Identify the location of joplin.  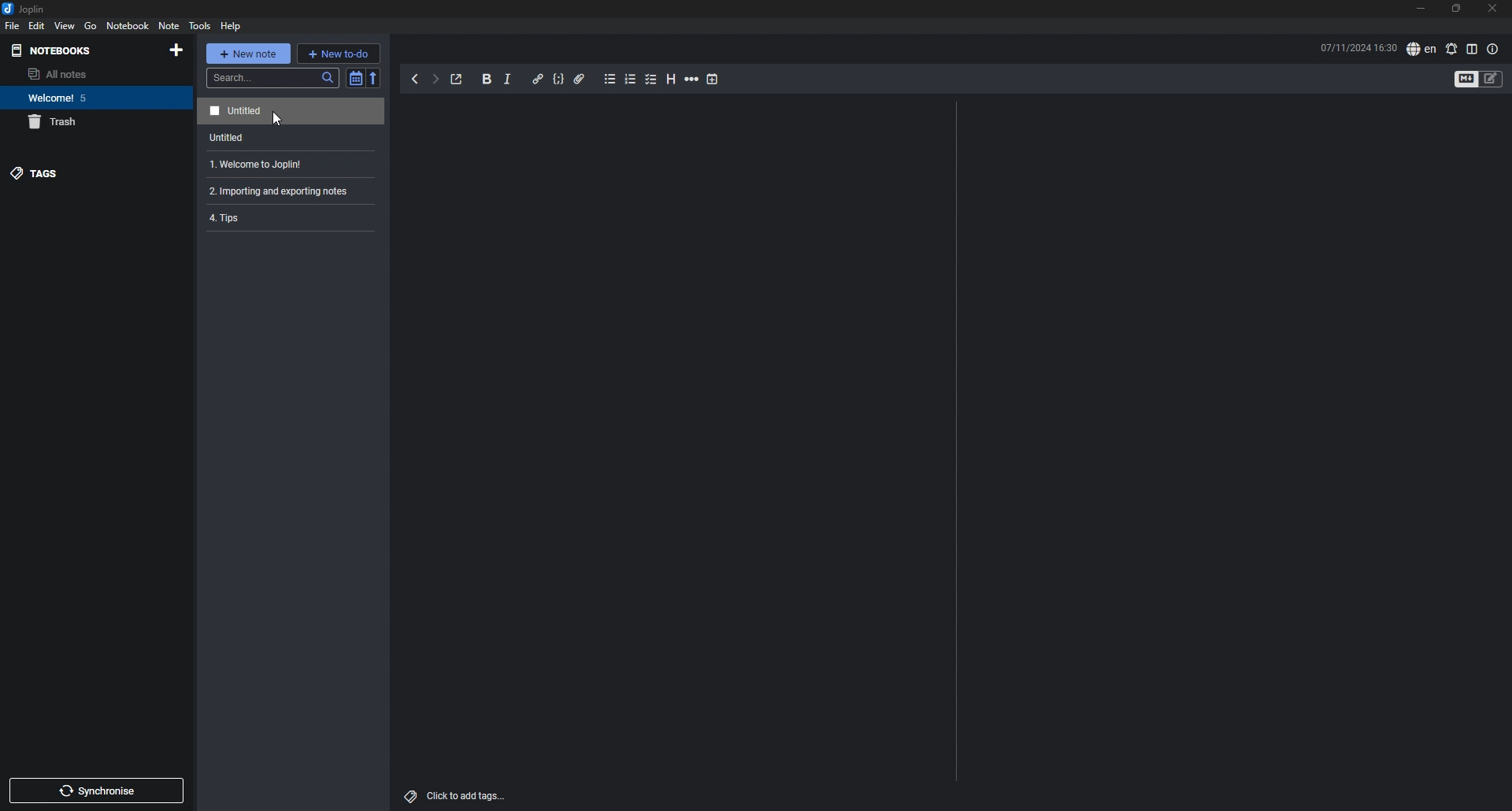
(27, 9).